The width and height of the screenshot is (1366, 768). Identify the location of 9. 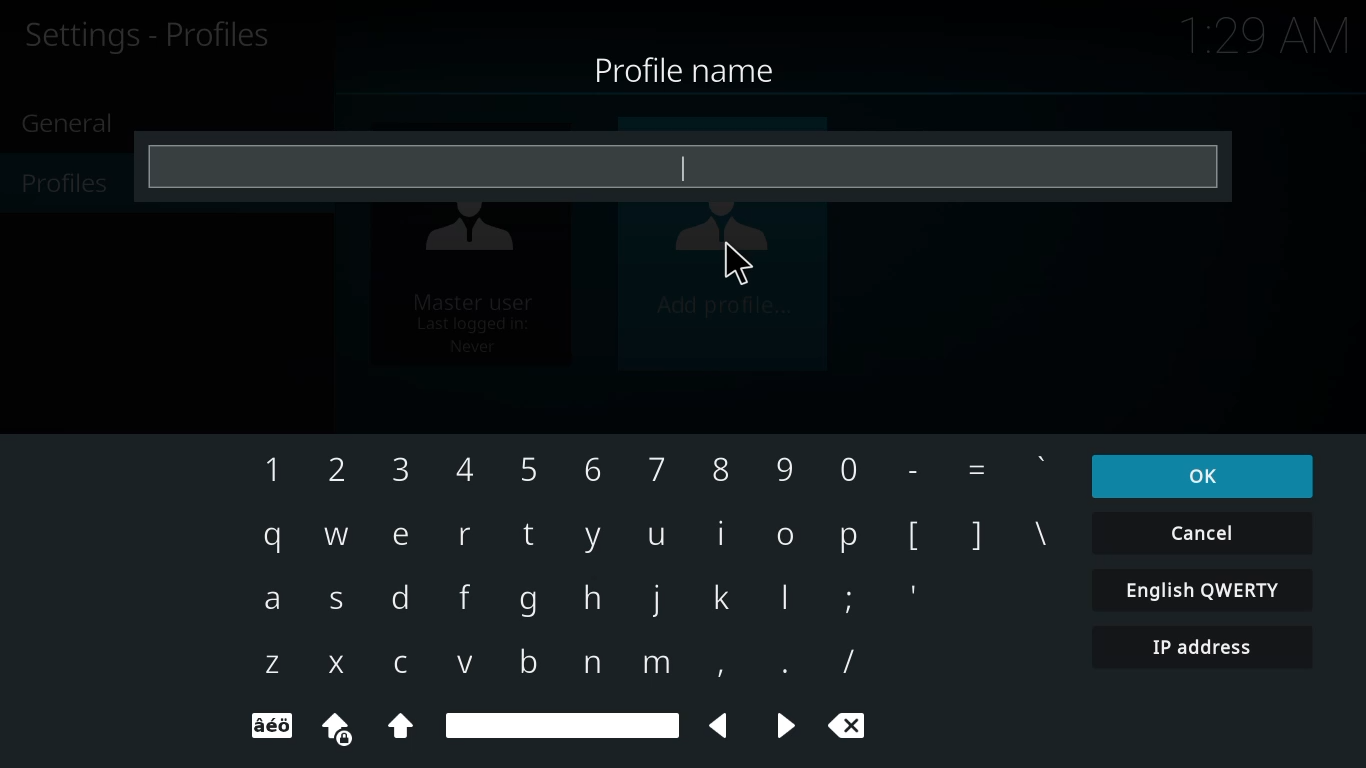
(791, 473).